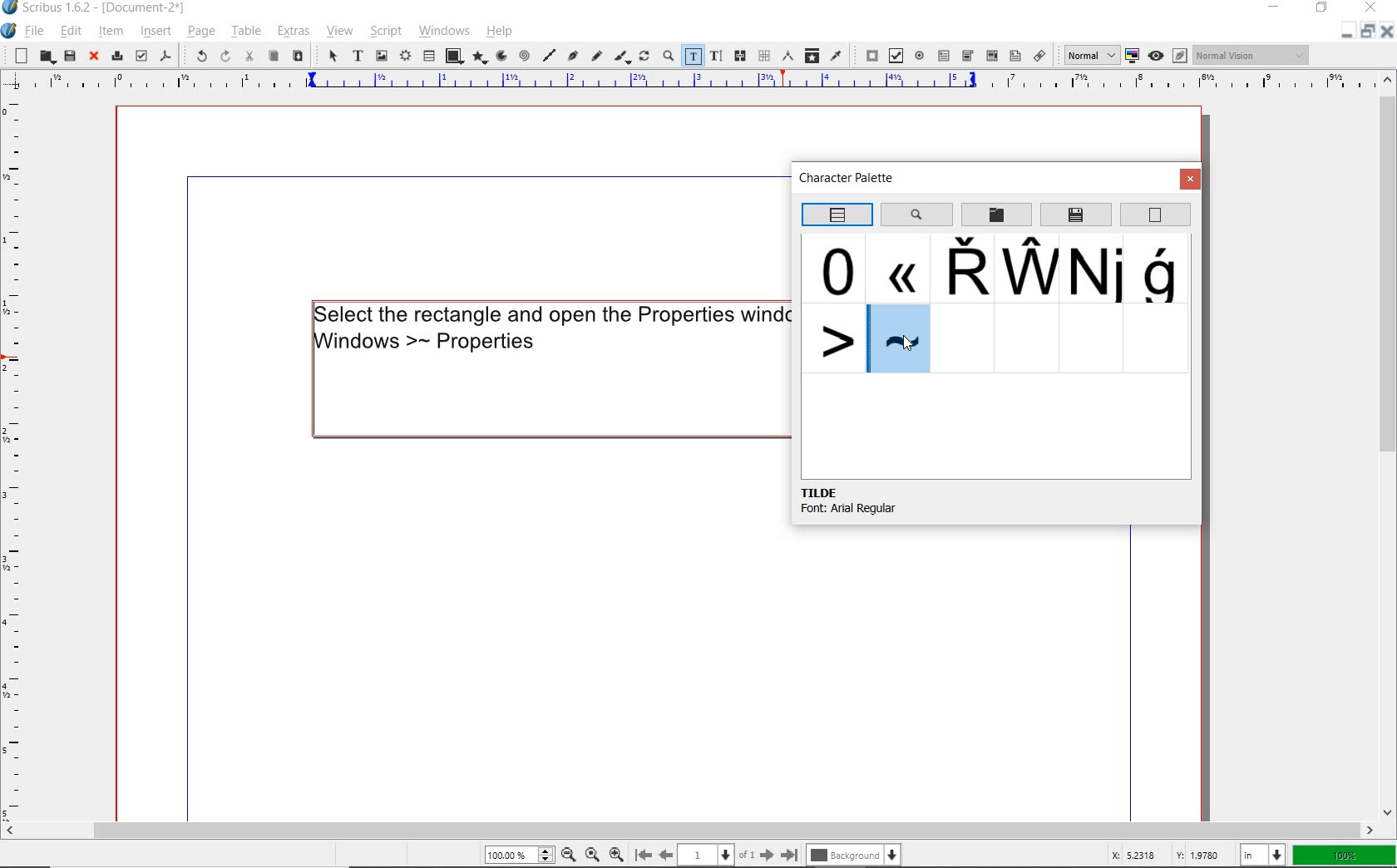 This screenshot has height=868, width=1397. I want to click on close, so click(1191, 180).